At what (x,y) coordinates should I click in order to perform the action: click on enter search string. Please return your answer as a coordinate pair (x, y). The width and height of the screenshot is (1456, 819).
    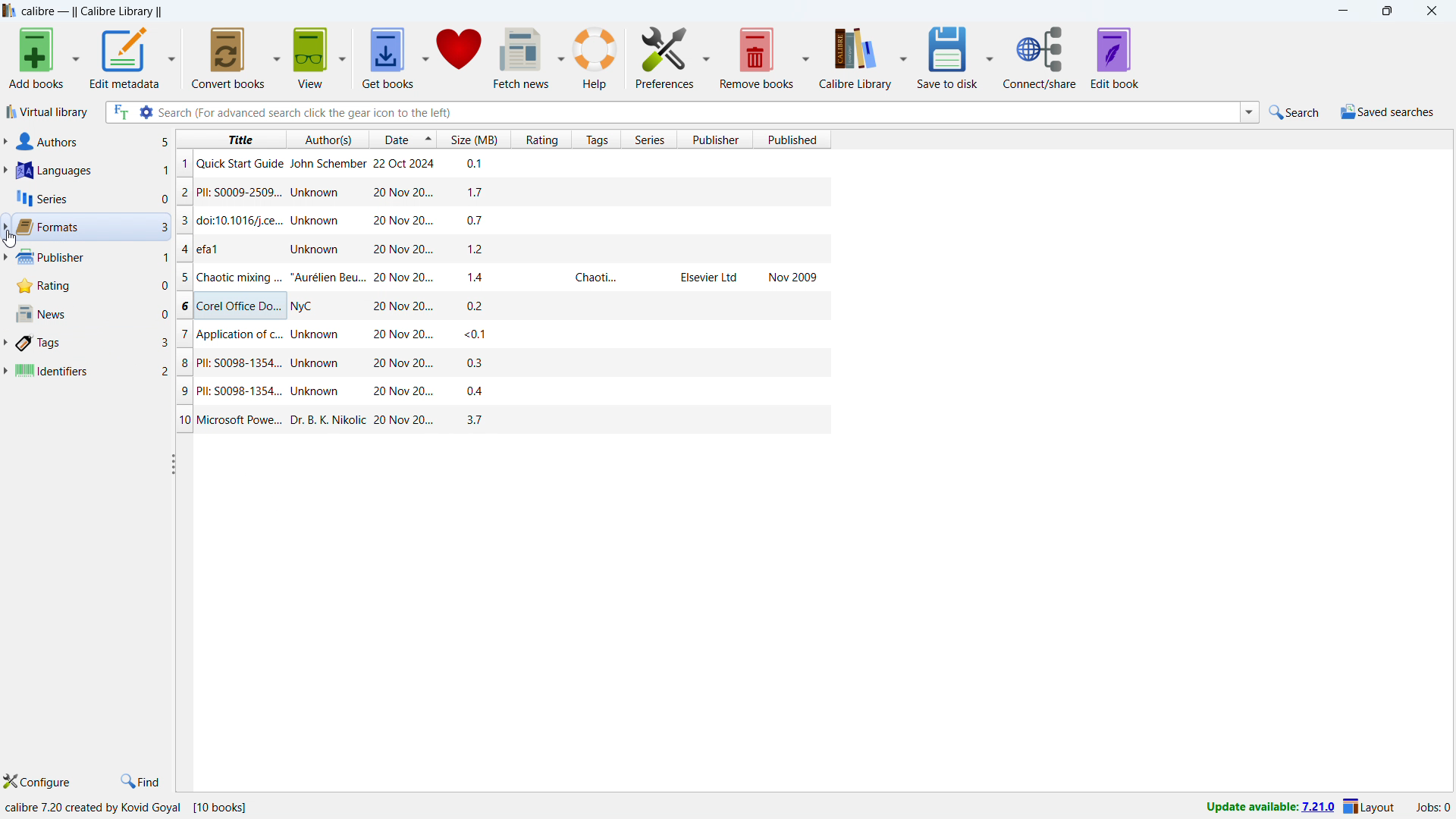
    Looking at the image, I should click on (698, 112).